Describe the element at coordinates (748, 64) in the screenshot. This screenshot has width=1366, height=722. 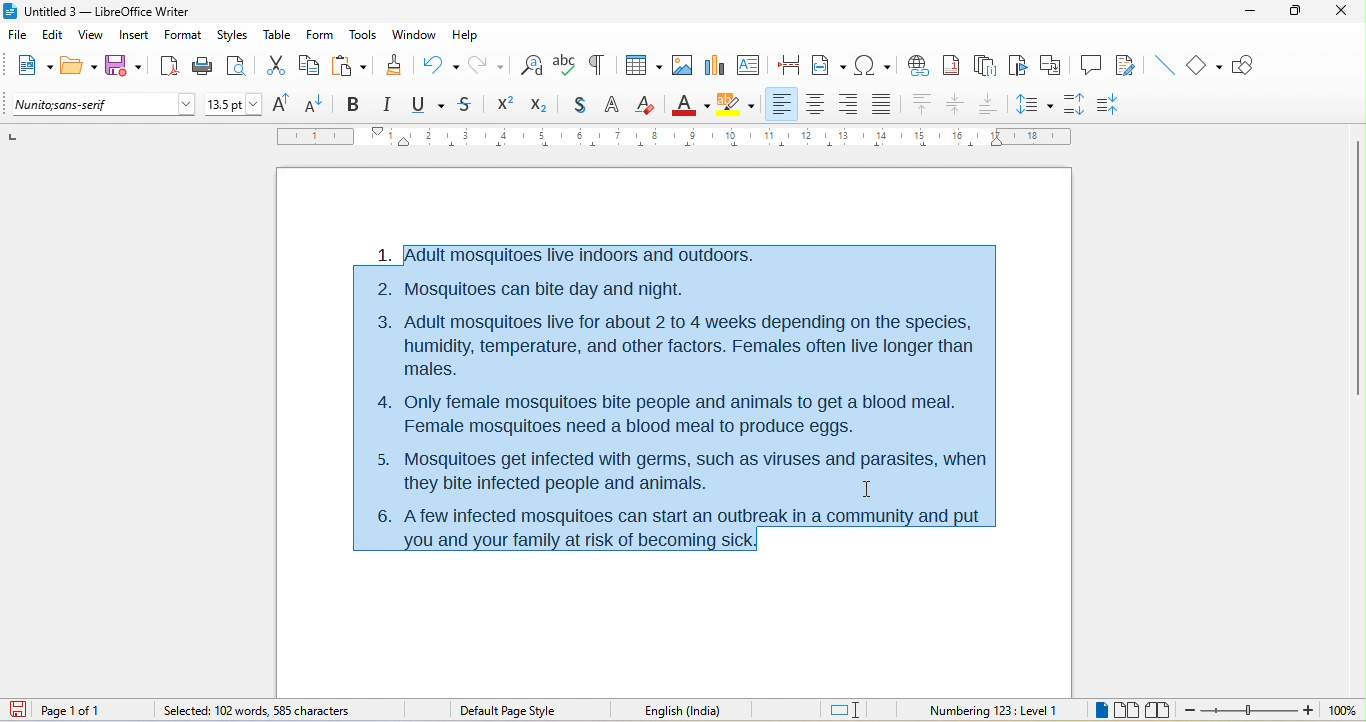
I see `text box` at that location.